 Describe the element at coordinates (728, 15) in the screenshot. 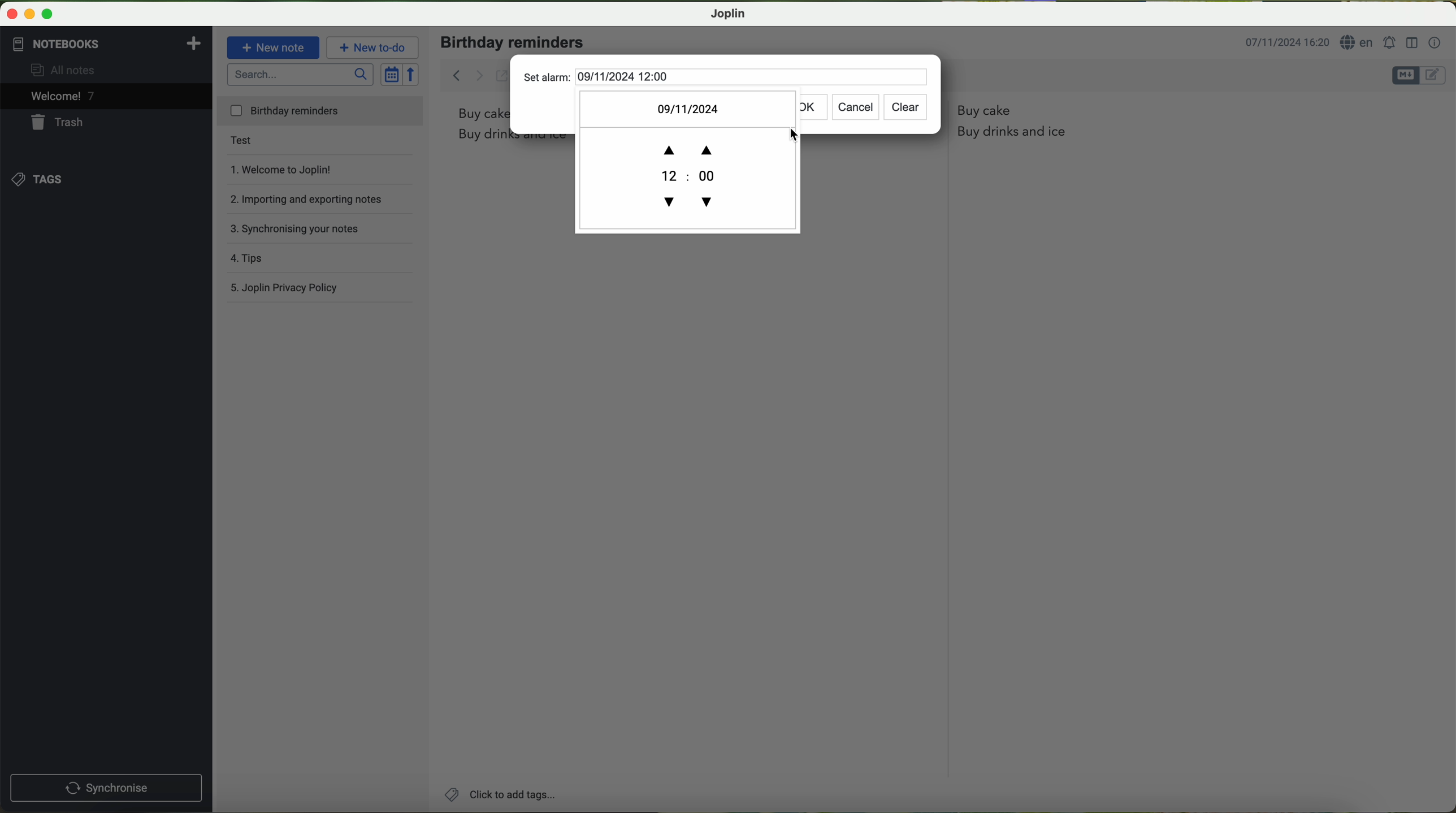

I see `Joplin` at that location.